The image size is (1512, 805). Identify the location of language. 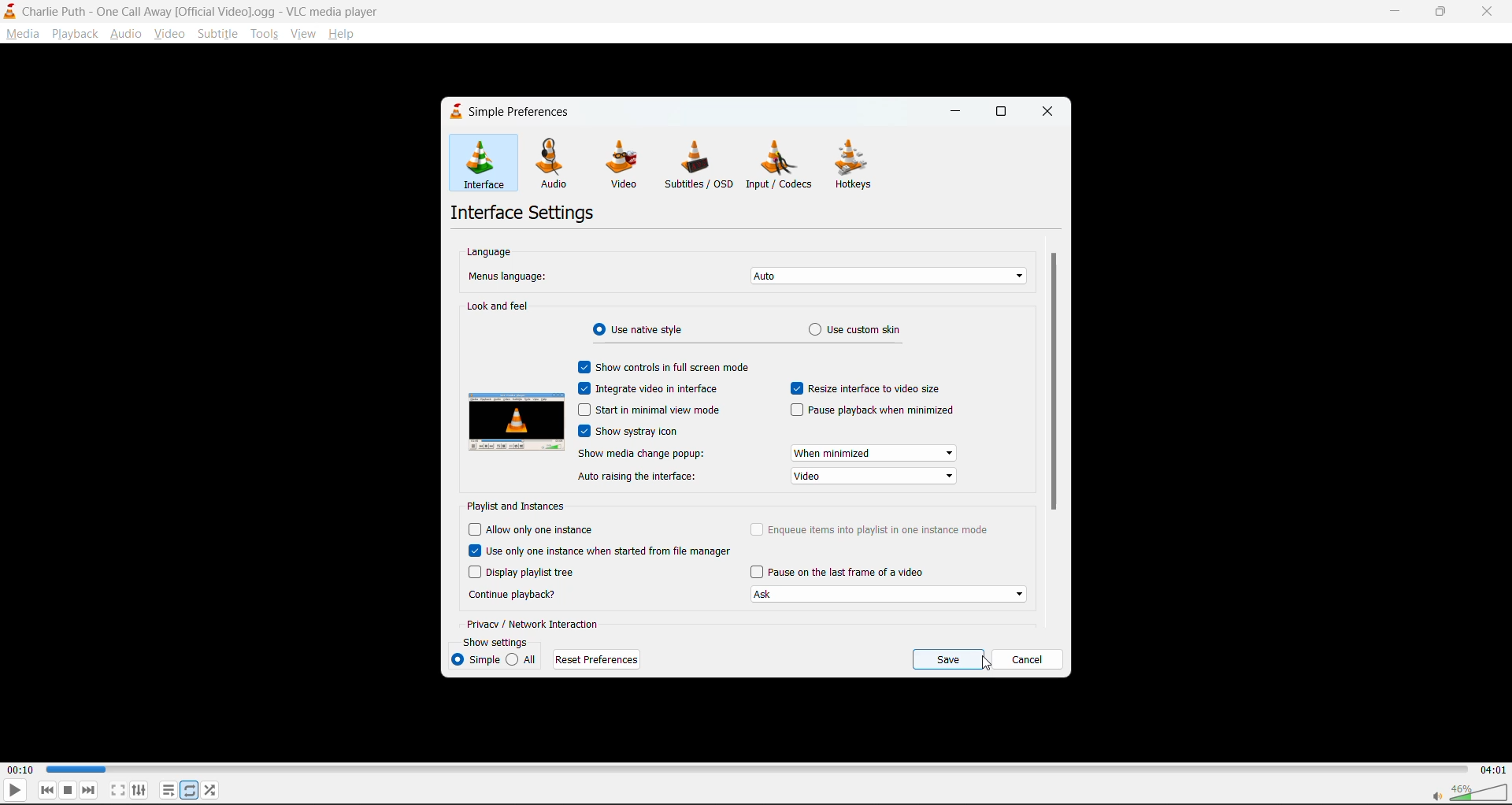
(491, 251).